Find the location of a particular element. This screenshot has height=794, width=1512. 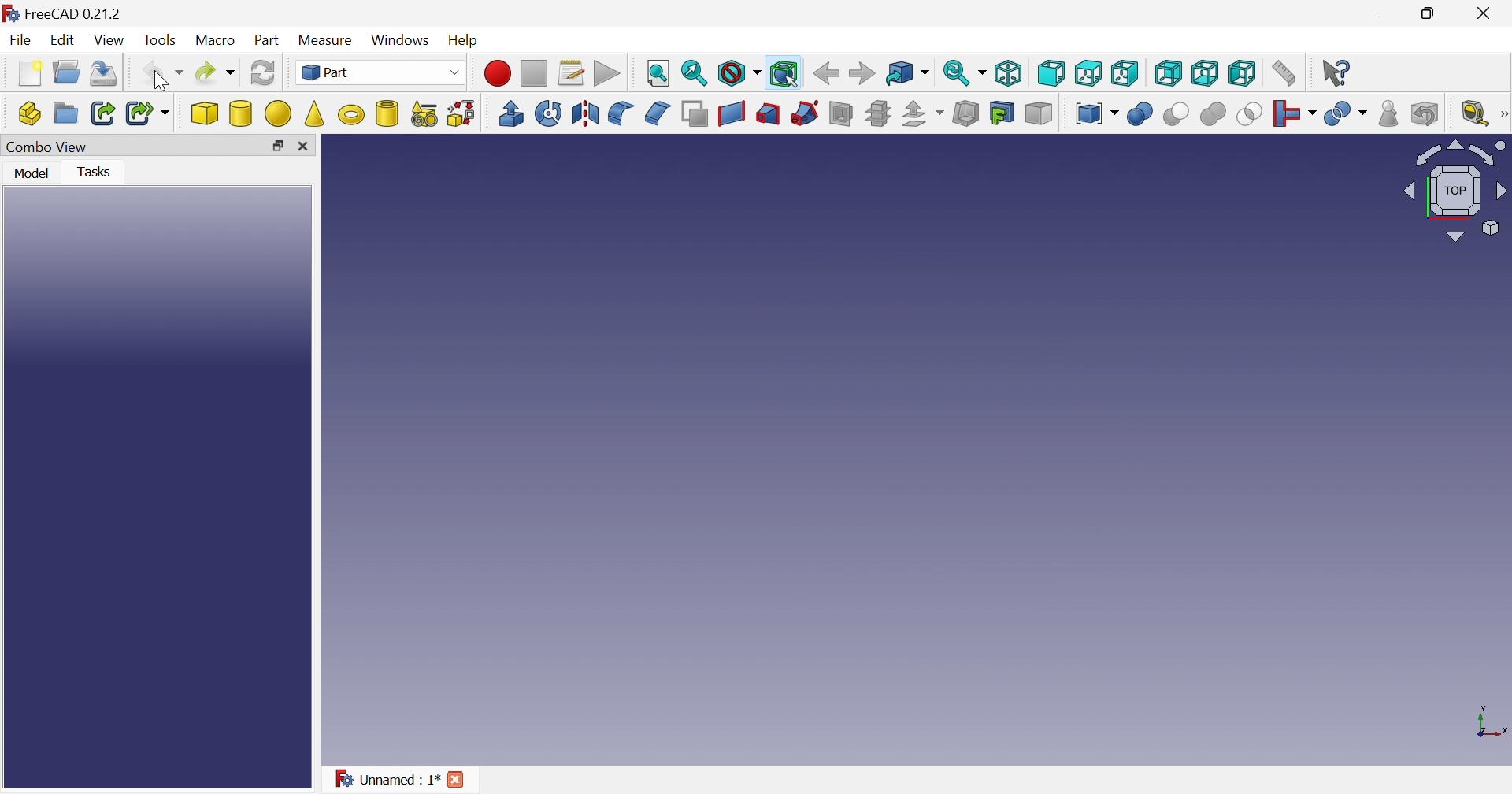

Redo is located at coordinates (215, 72).